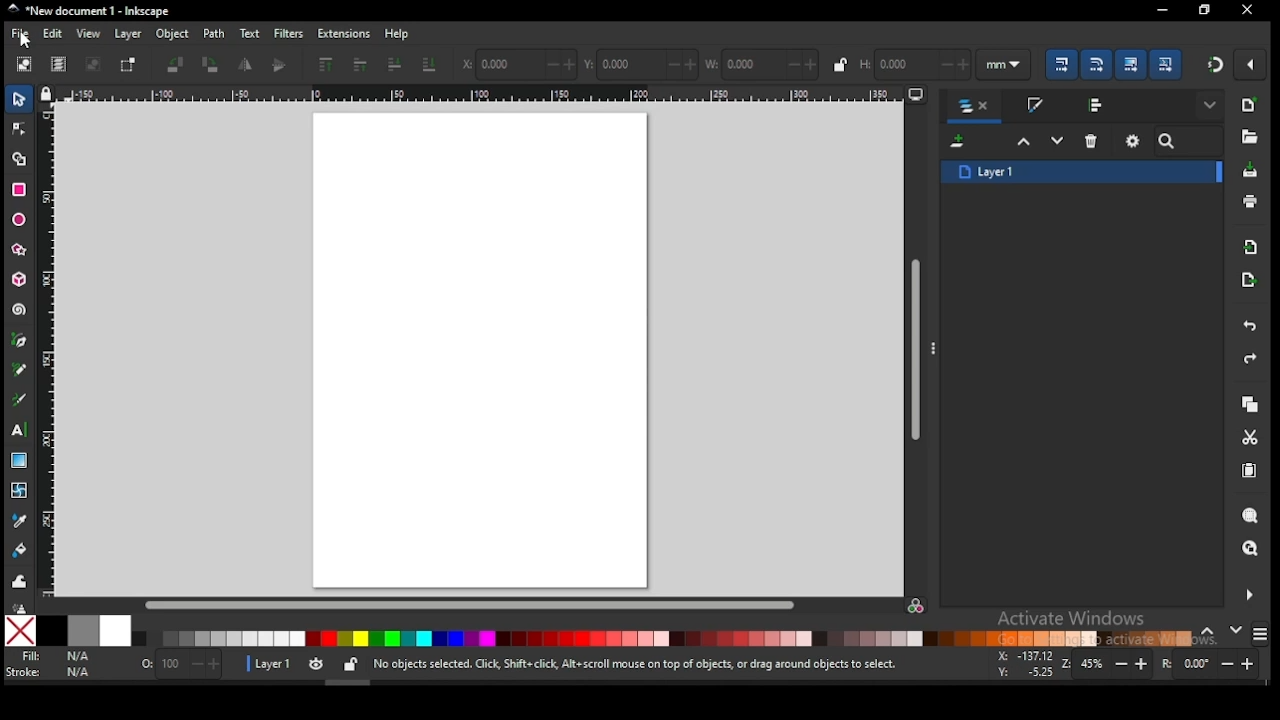  I want to click on redo, so click(1248, 360).